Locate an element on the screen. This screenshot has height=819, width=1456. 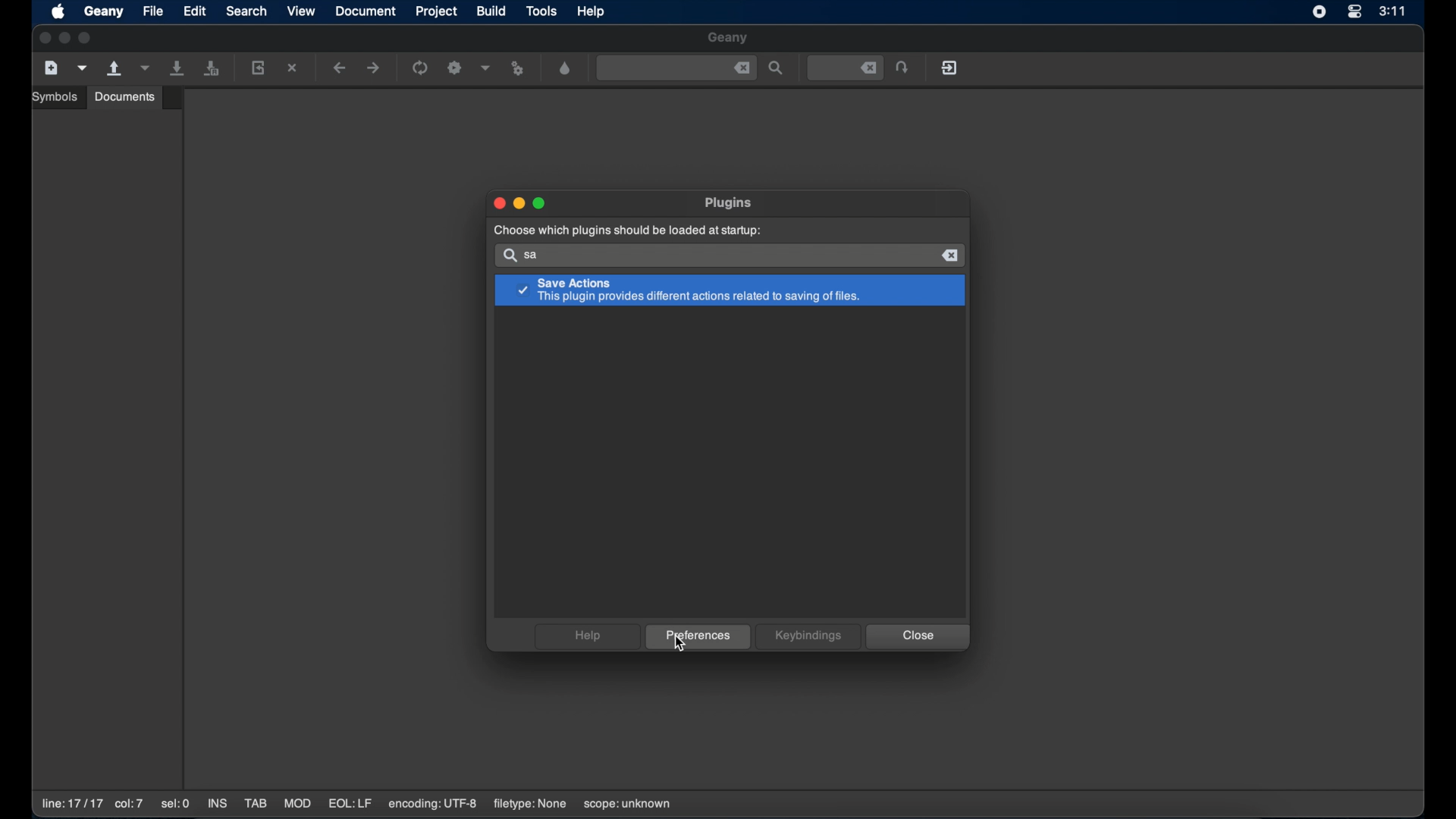
reload the current file is located at coordinates (259, 67).